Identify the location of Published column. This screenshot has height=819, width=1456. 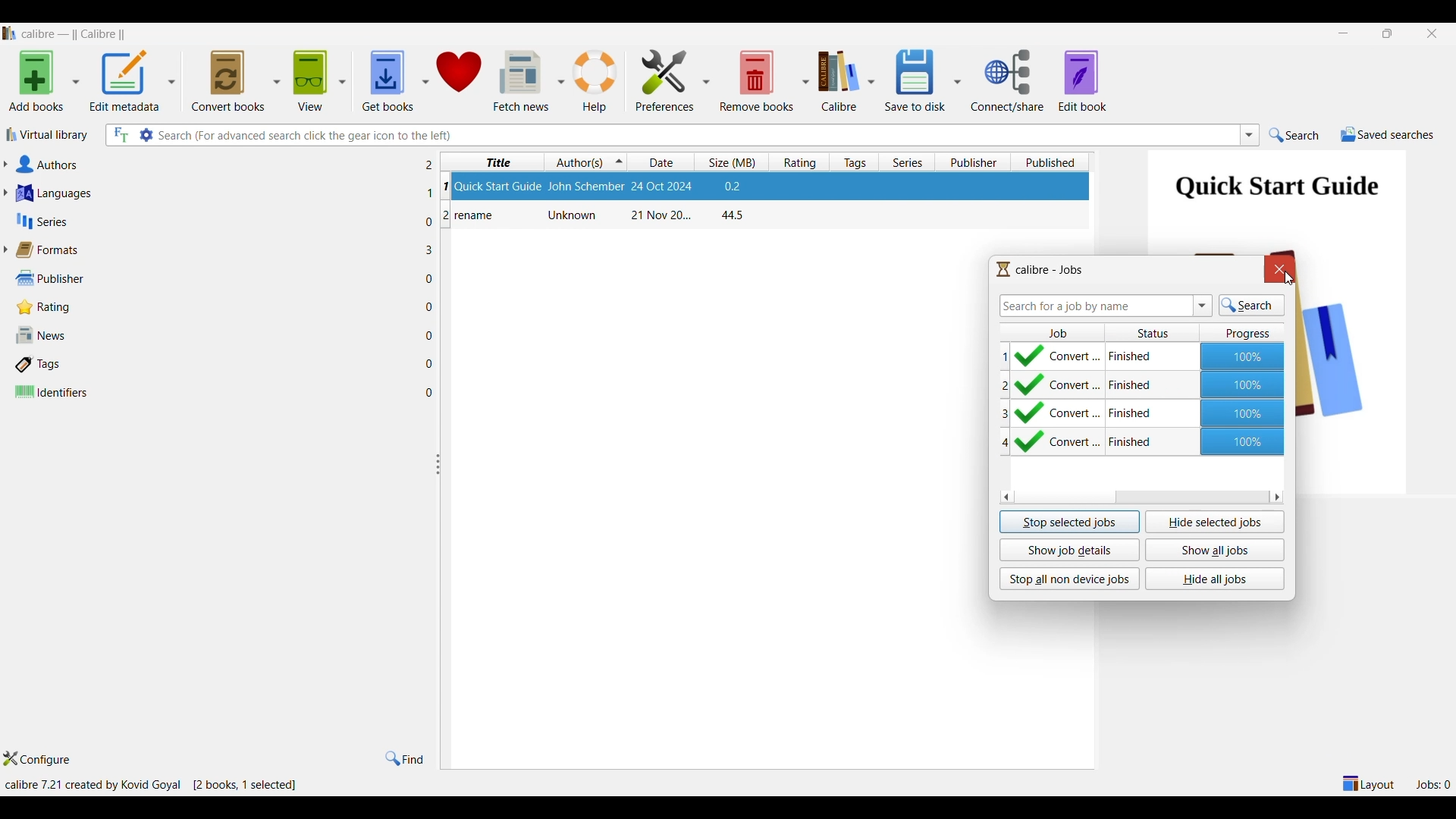
(1052, 162).